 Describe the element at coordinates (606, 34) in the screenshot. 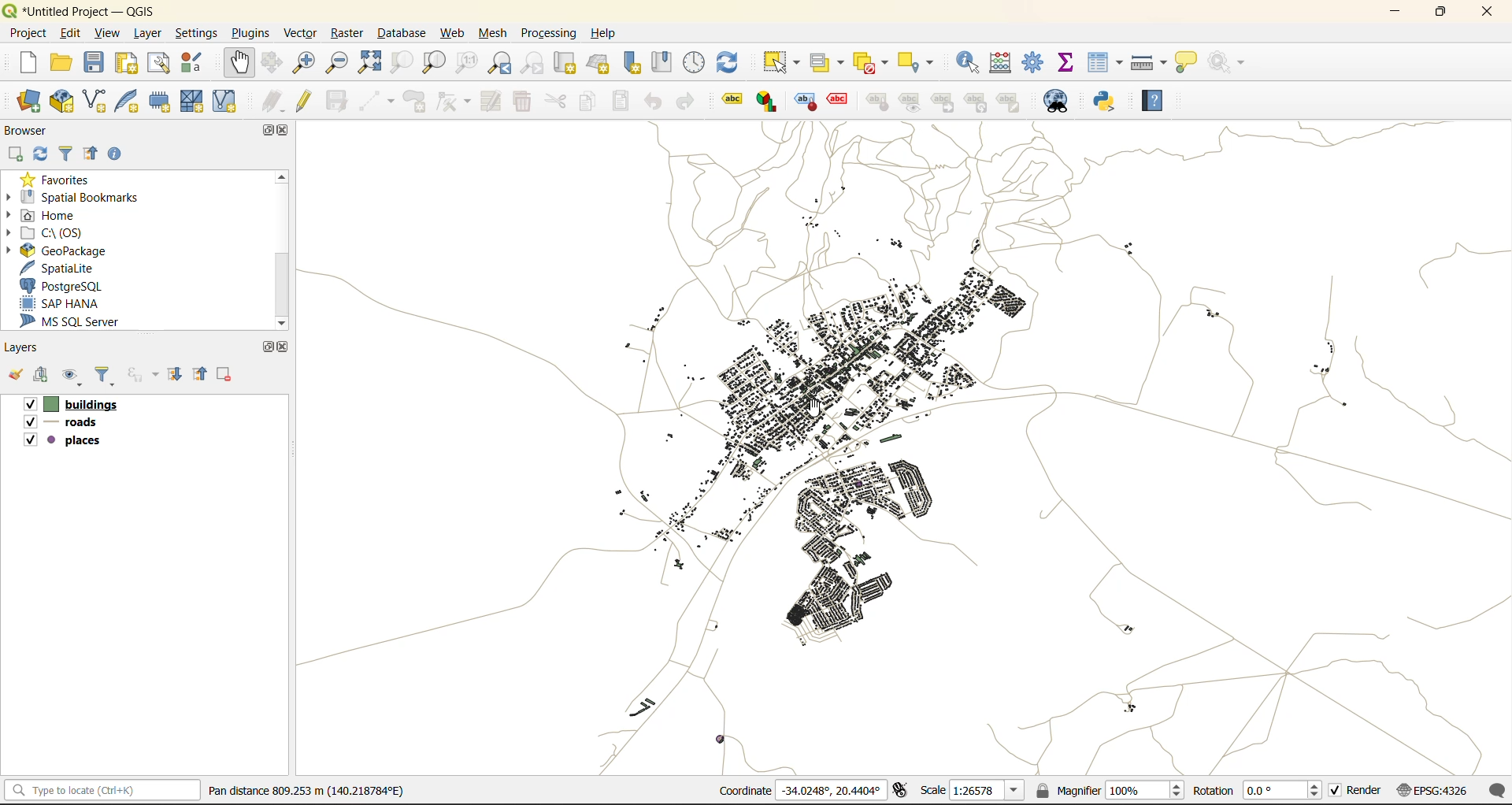

I see `help` at that location.